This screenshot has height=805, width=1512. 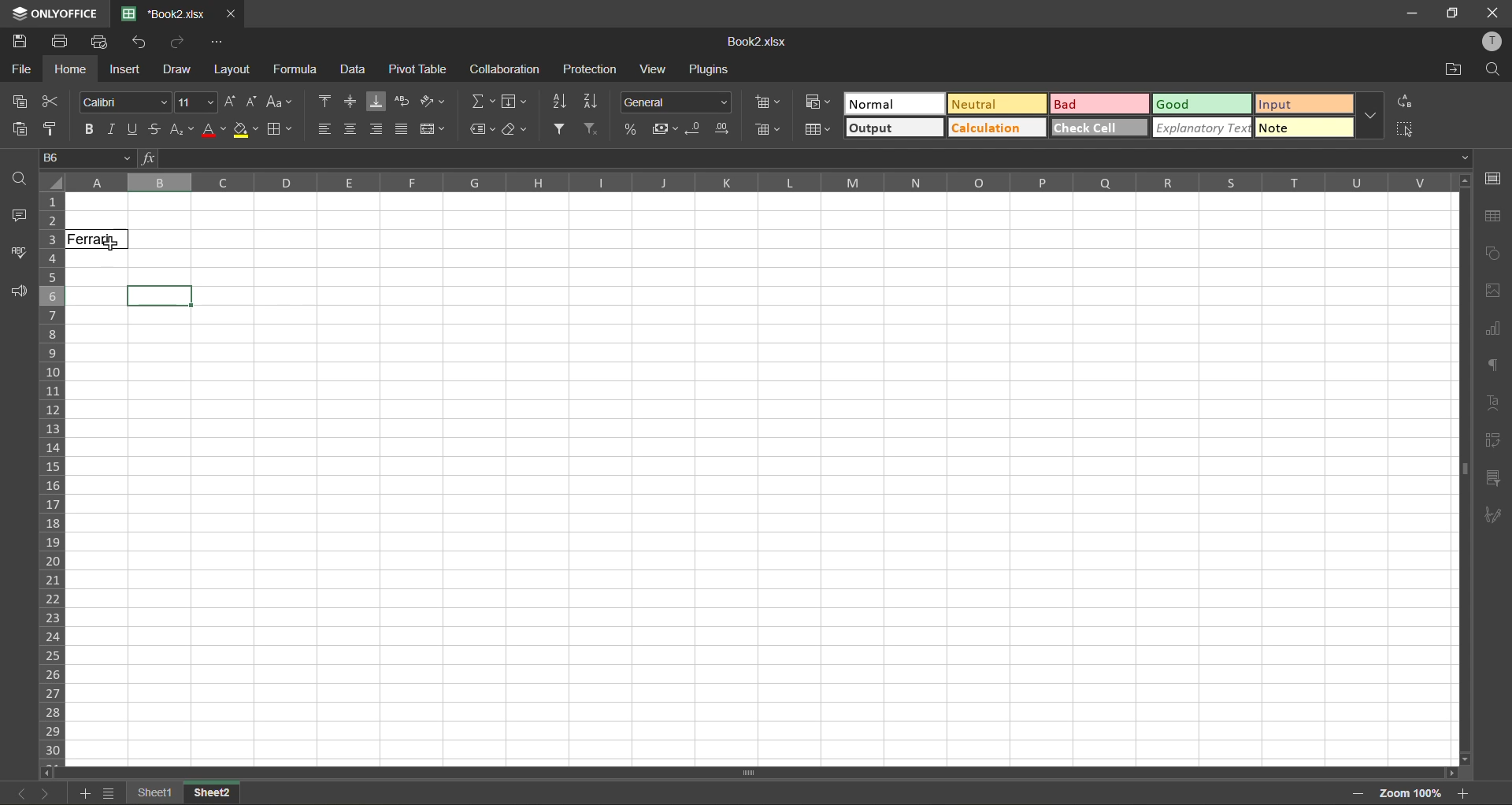 I want to click on save, so click(x=20, y=39).